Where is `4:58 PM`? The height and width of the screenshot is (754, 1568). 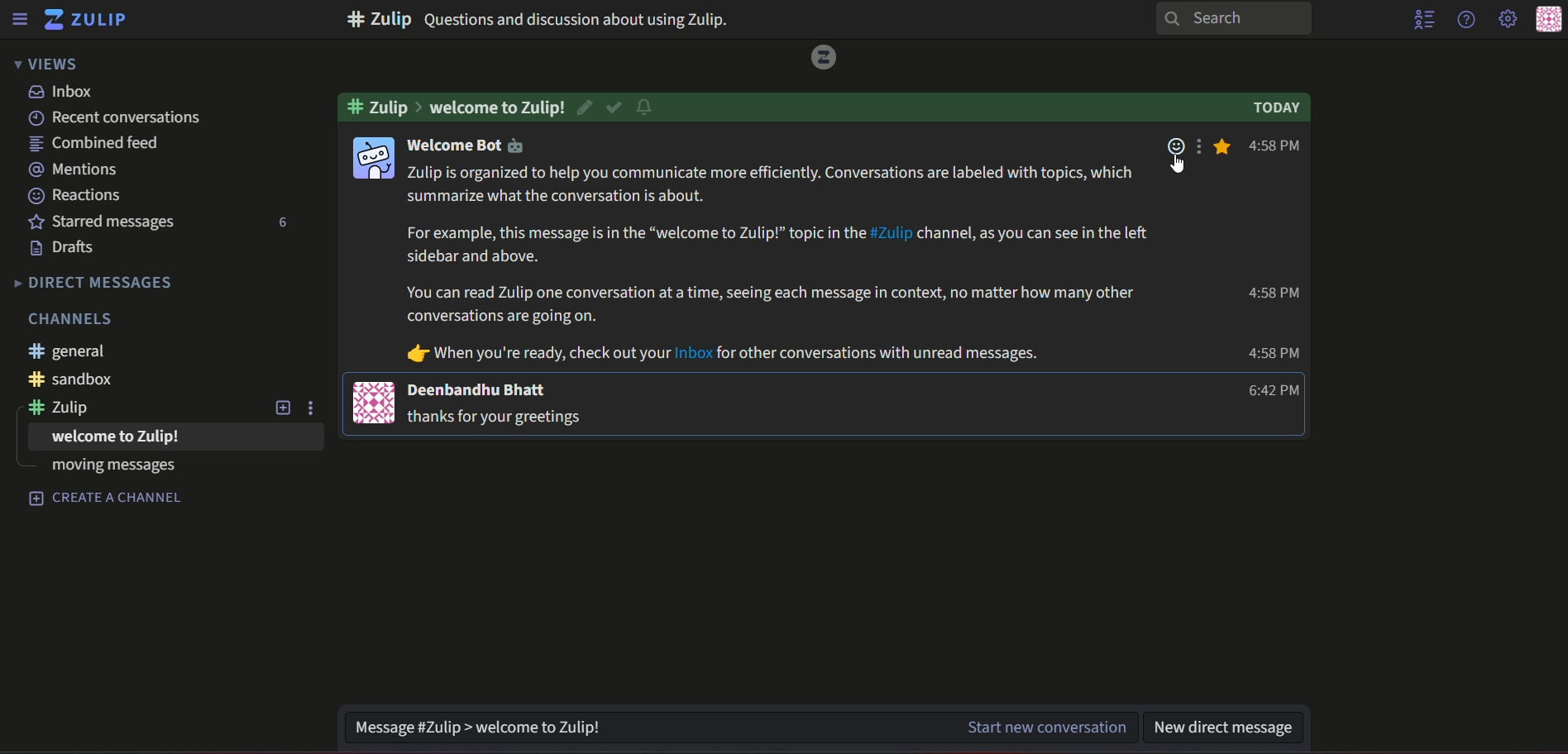
4:58 PM is located at coordinates (1277, 146).